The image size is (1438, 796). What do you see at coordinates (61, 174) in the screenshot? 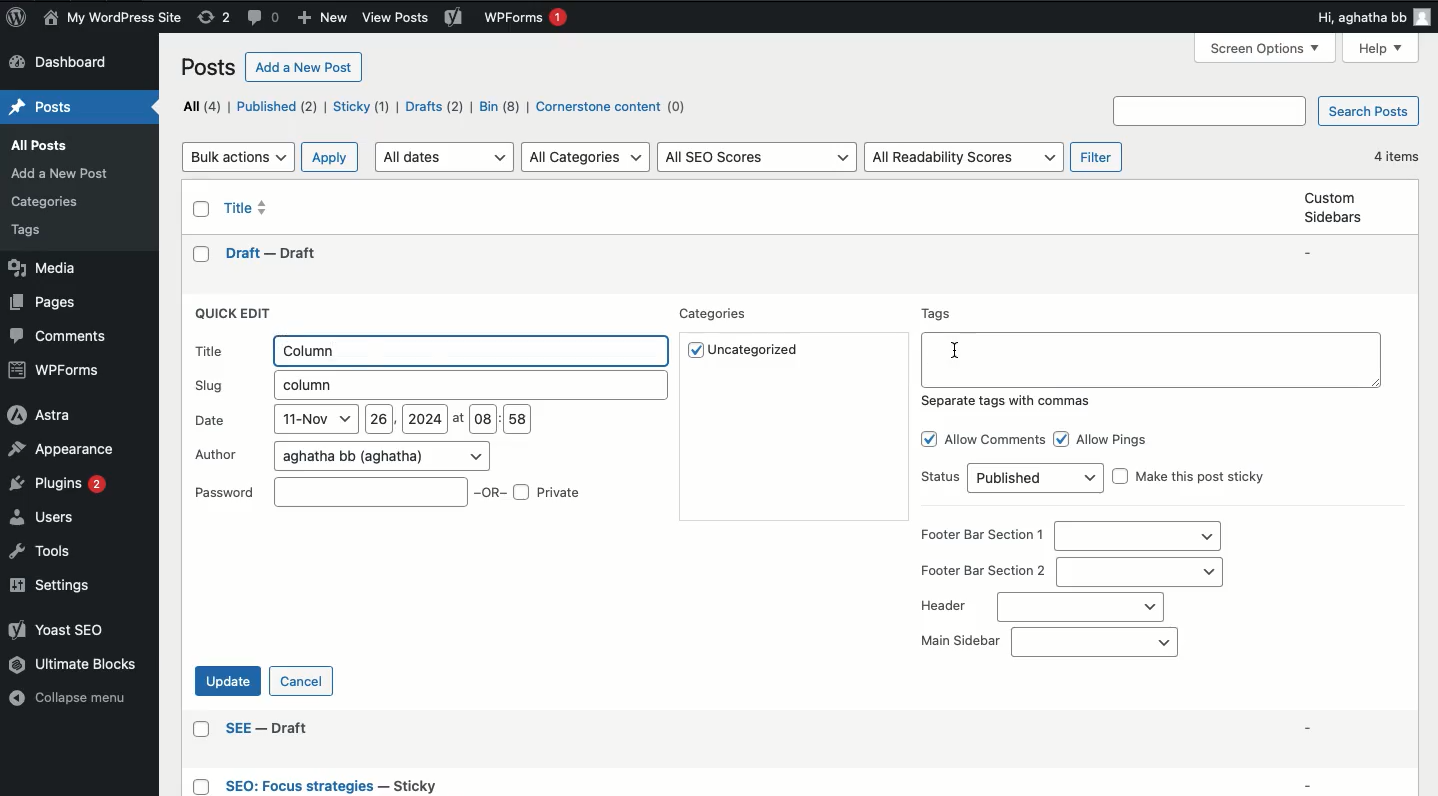
I see `` at bounding box center [61, 174].